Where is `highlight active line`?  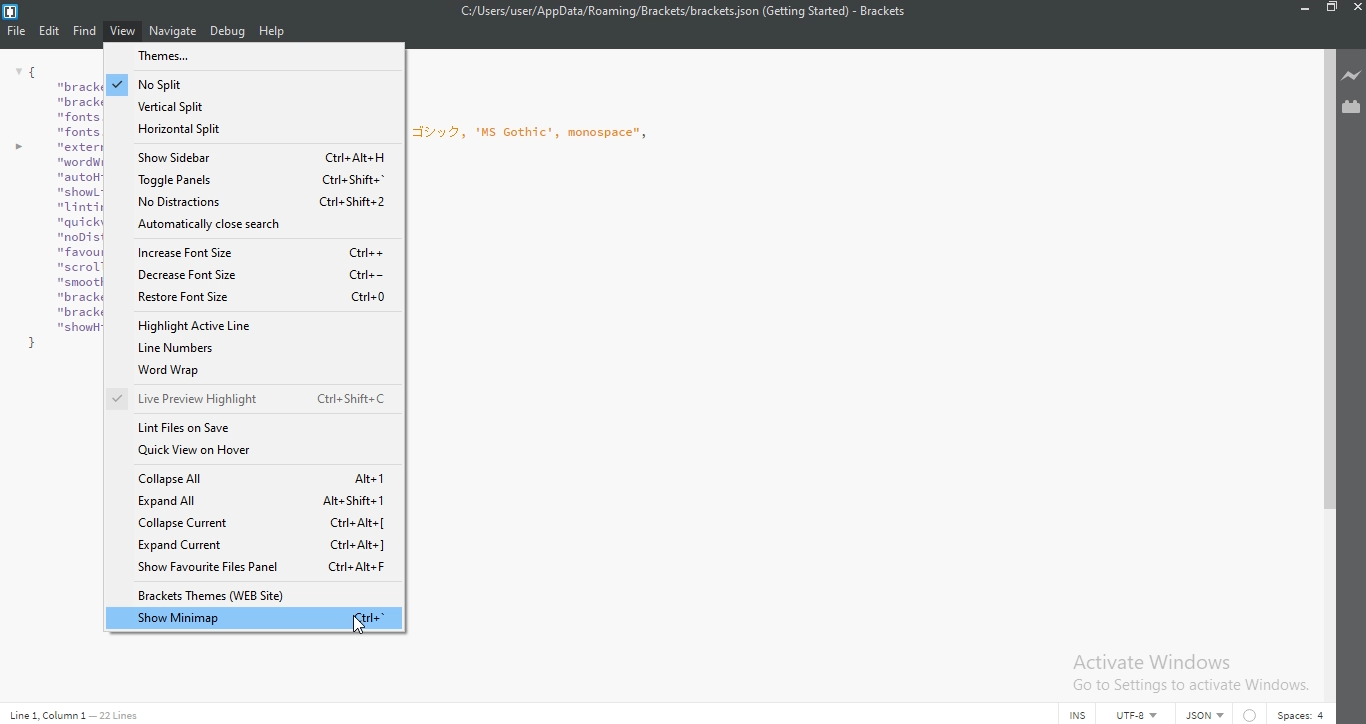
highlight active line is located at coordinates (252, 323).